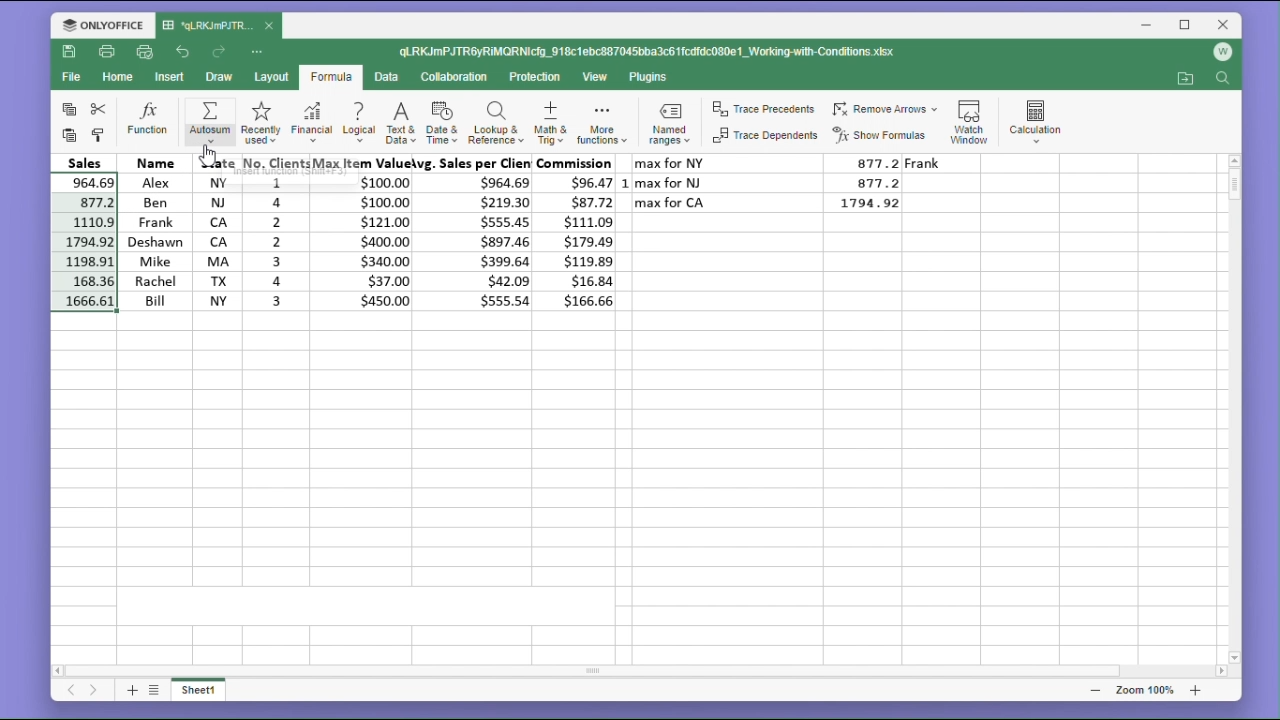  What do you see at coordinates (270, 27) in the screenshot?
I see `close` at bounding box center [270, 27].